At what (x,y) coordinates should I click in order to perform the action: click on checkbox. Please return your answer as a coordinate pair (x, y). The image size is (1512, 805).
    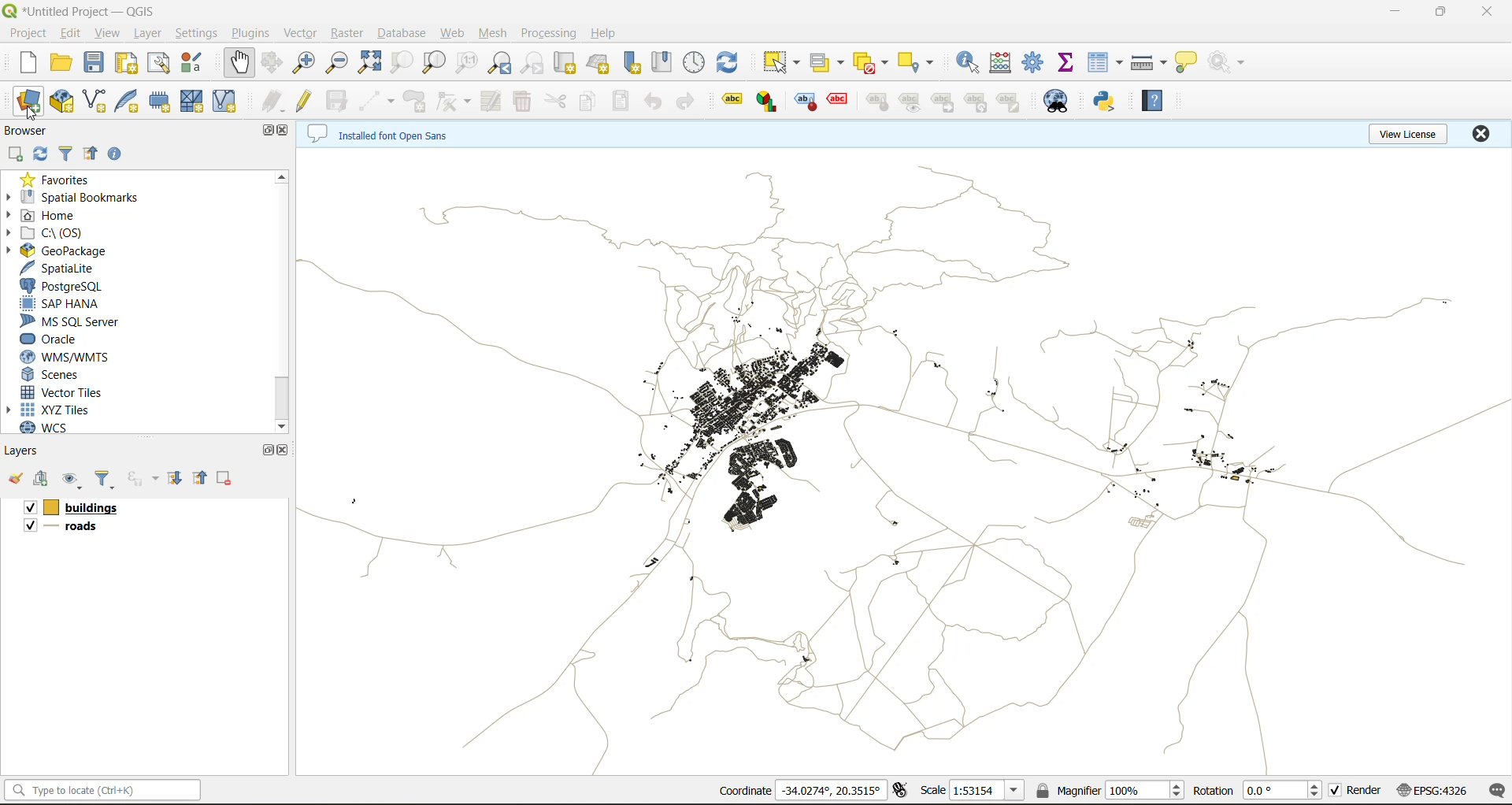
    Looking at the image, I should click on (28, 525).